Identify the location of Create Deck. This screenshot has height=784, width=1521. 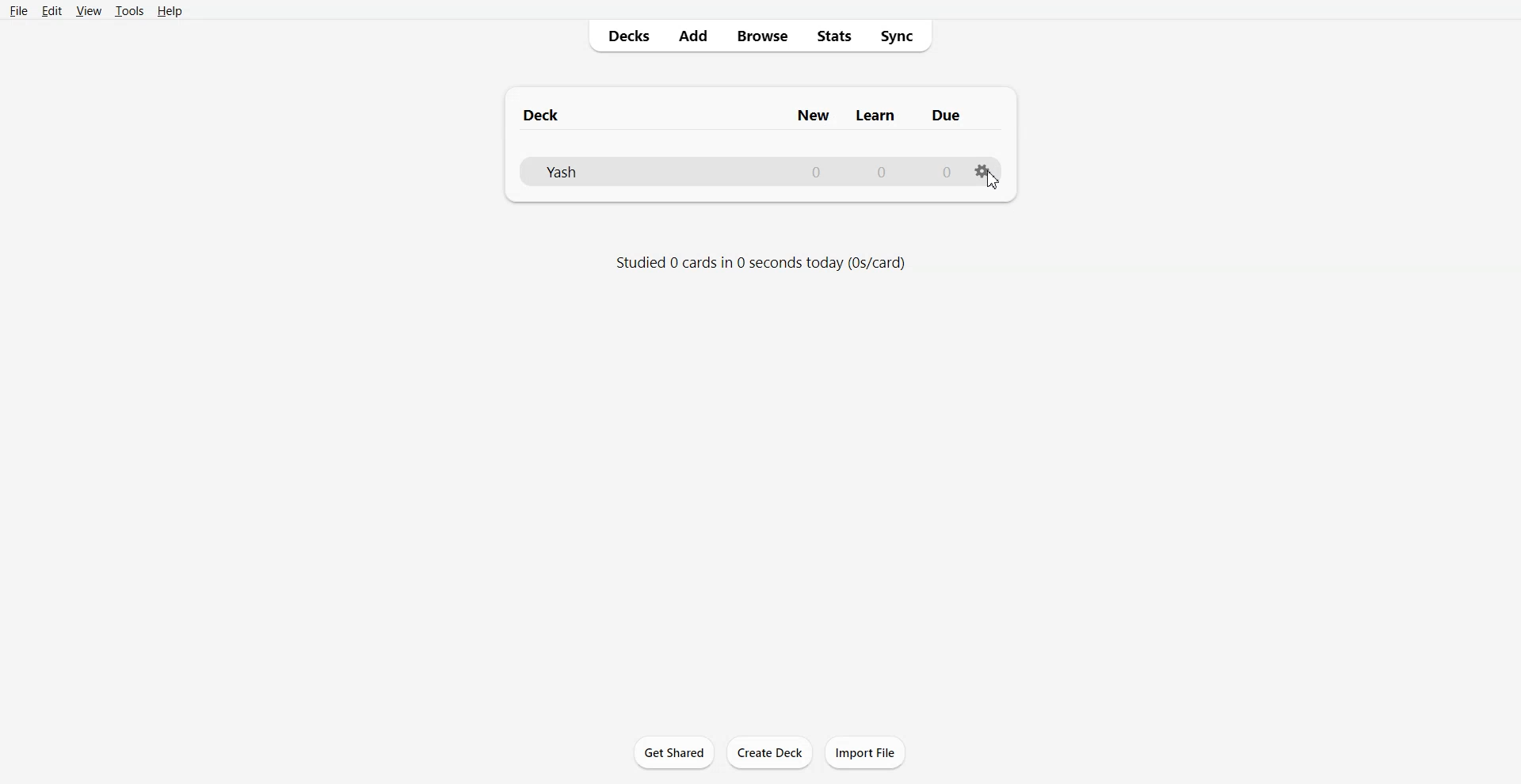
(769, 752).